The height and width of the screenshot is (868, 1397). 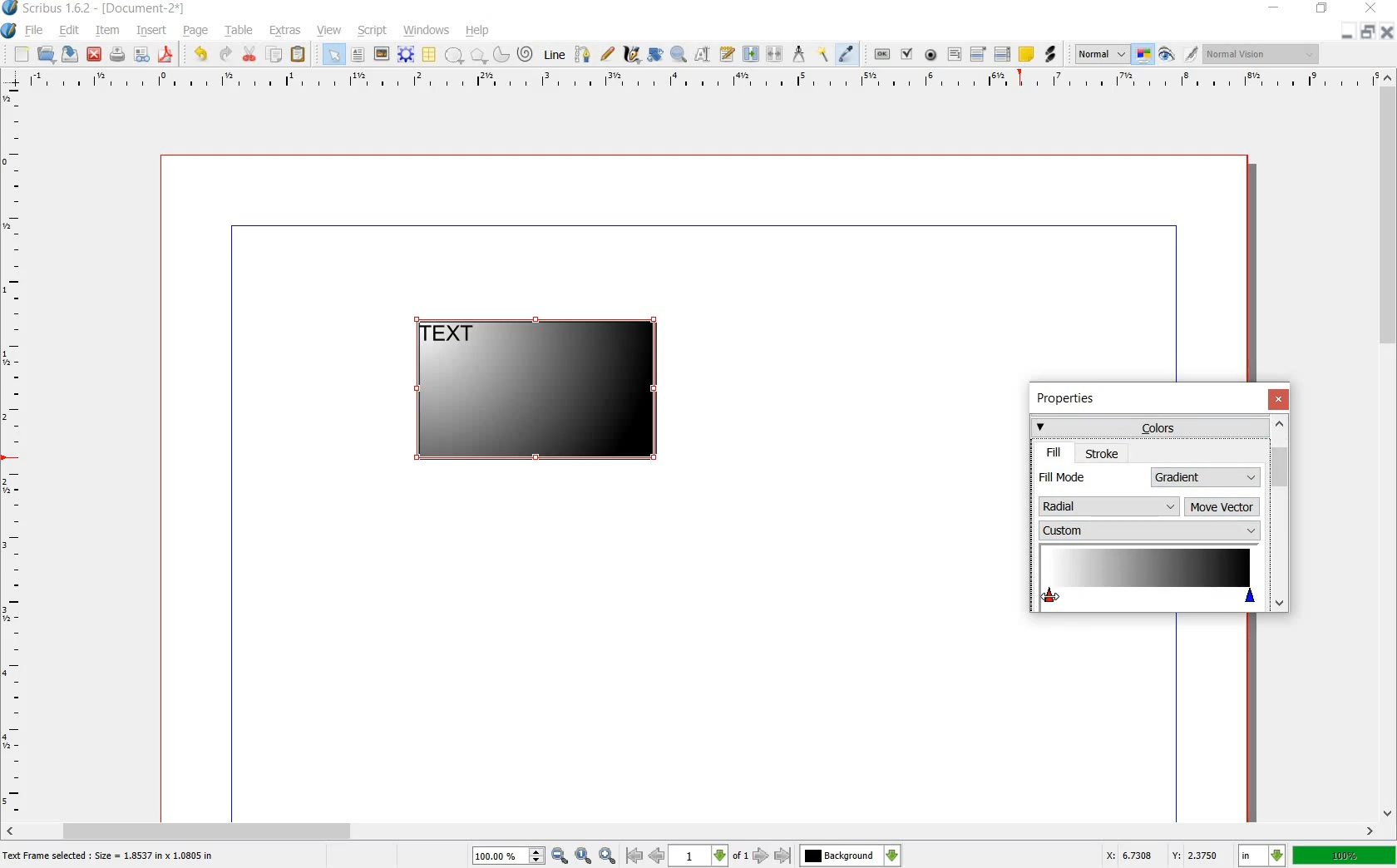 I want to click on link annotation, so click(x=1049, y=55).